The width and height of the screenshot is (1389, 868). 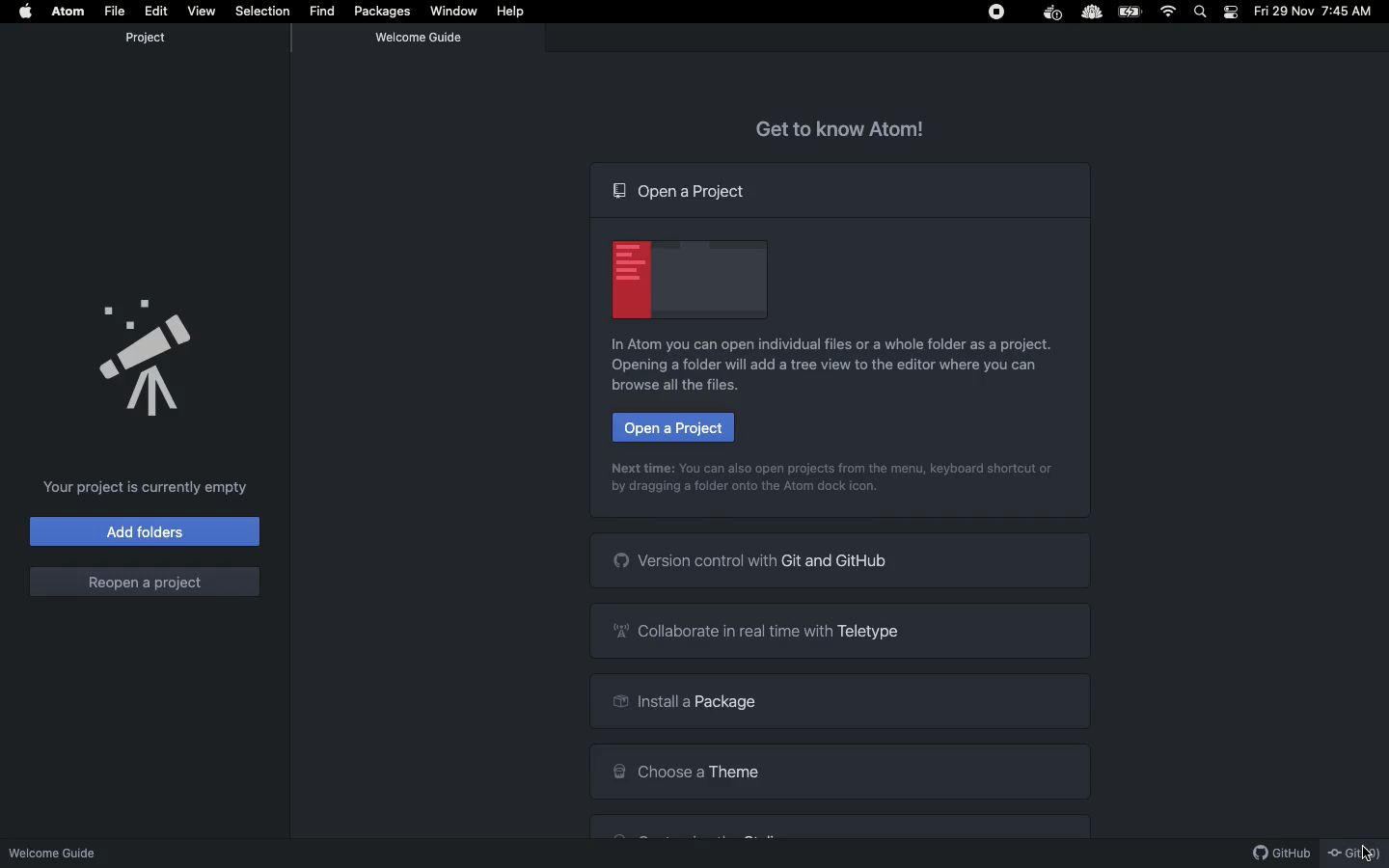 I want to click on Welcome guide, so click(x=422, y=38).